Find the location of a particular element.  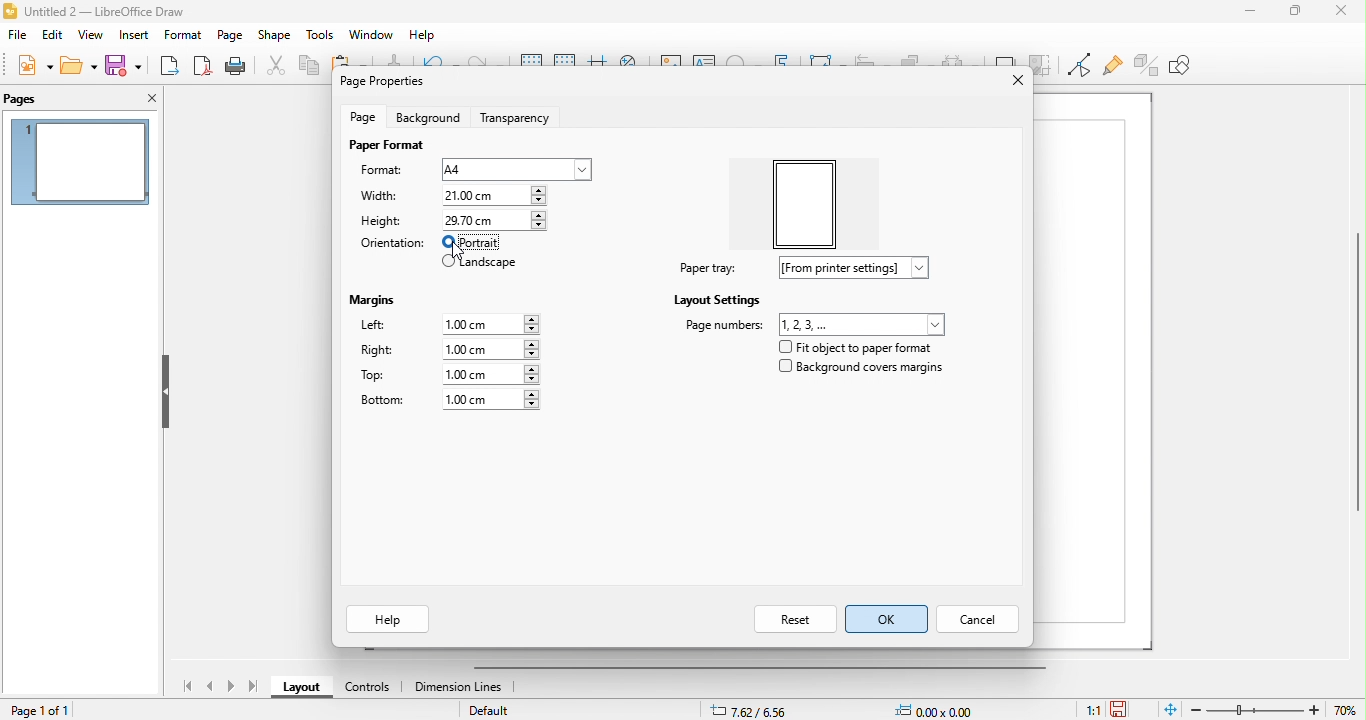

copy is located at coordinates (311, 67).